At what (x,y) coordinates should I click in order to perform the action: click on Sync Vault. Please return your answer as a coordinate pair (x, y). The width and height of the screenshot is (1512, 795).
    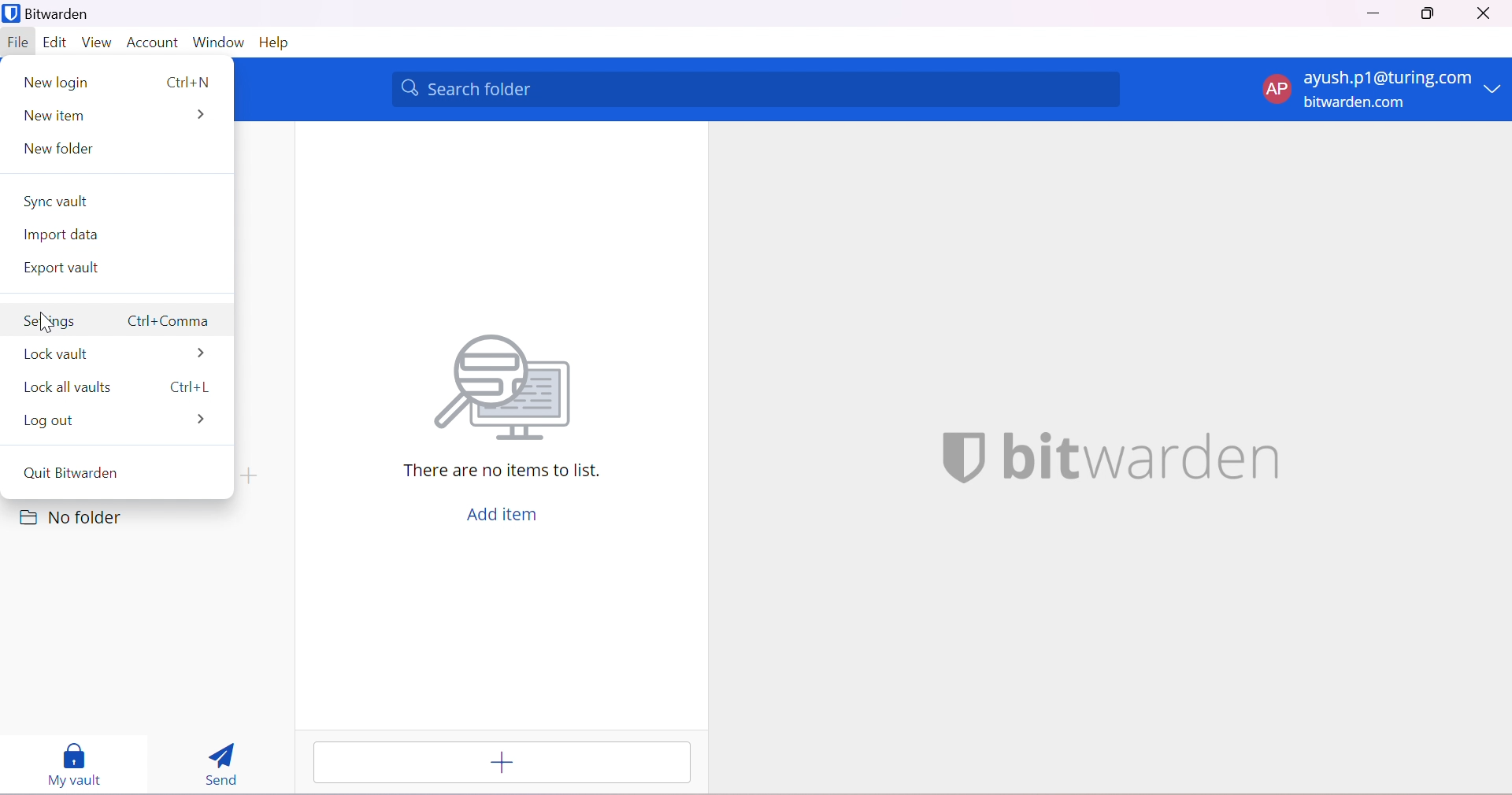
    Looking at the image, I should click on (56, 202).